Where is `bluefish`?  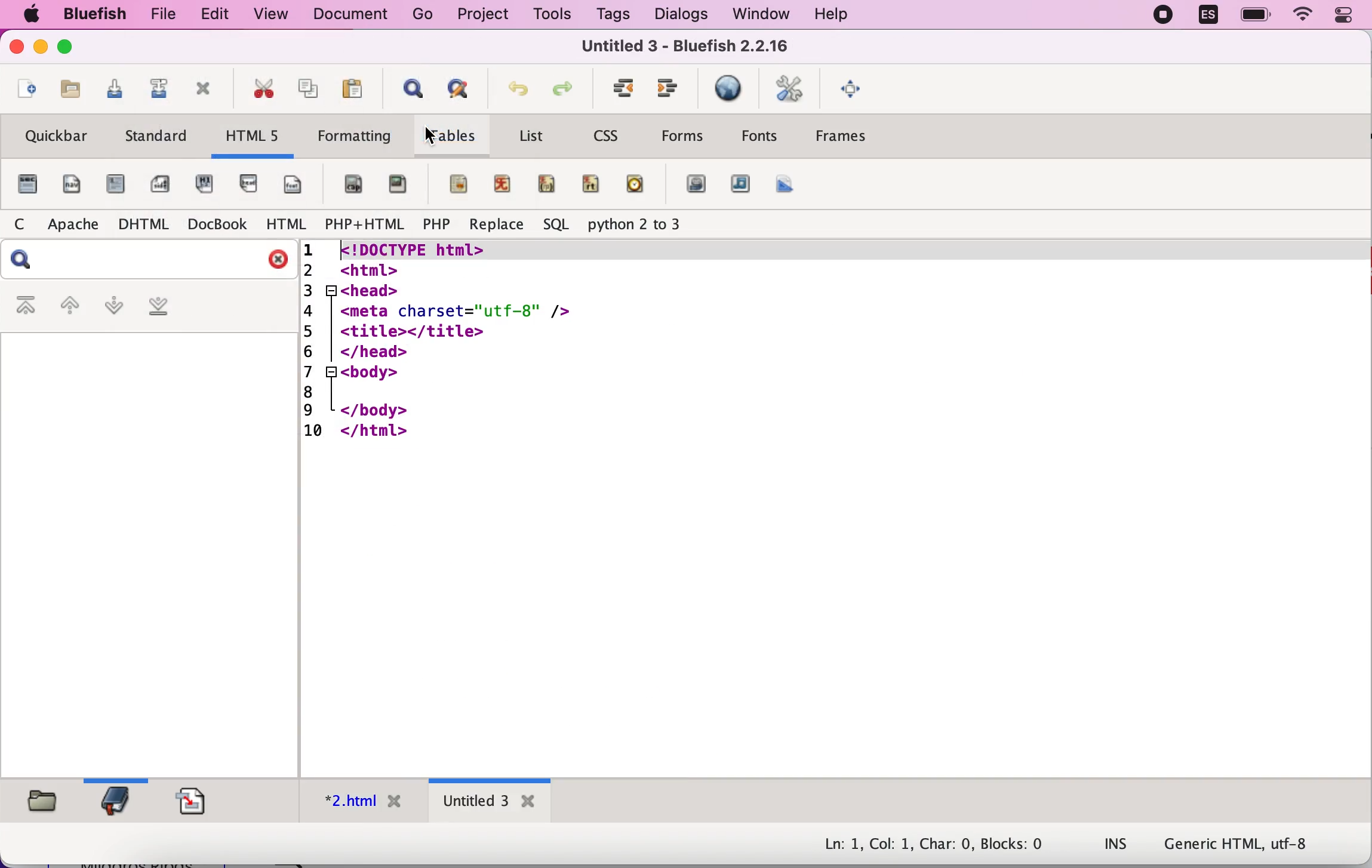 bluefish is located at coordinates (90, 16).